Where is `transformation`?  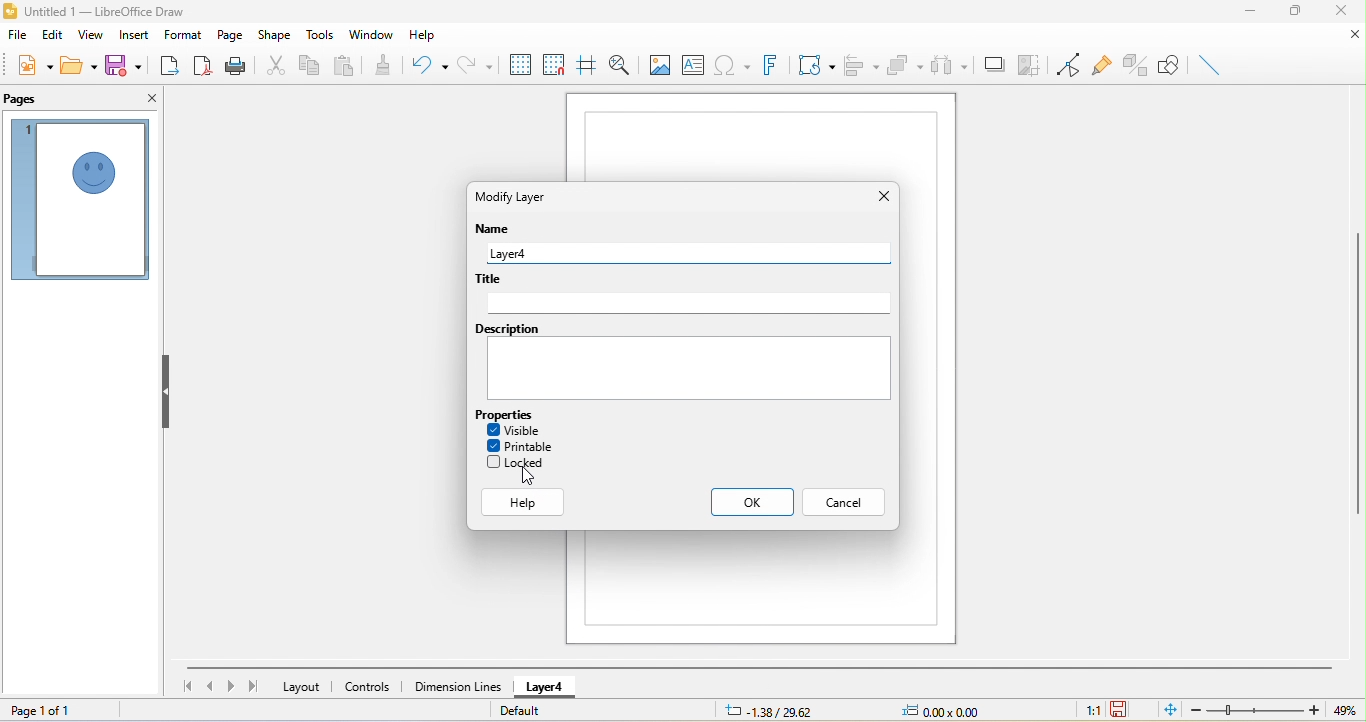
transformation is located at coordinates (817, 64).